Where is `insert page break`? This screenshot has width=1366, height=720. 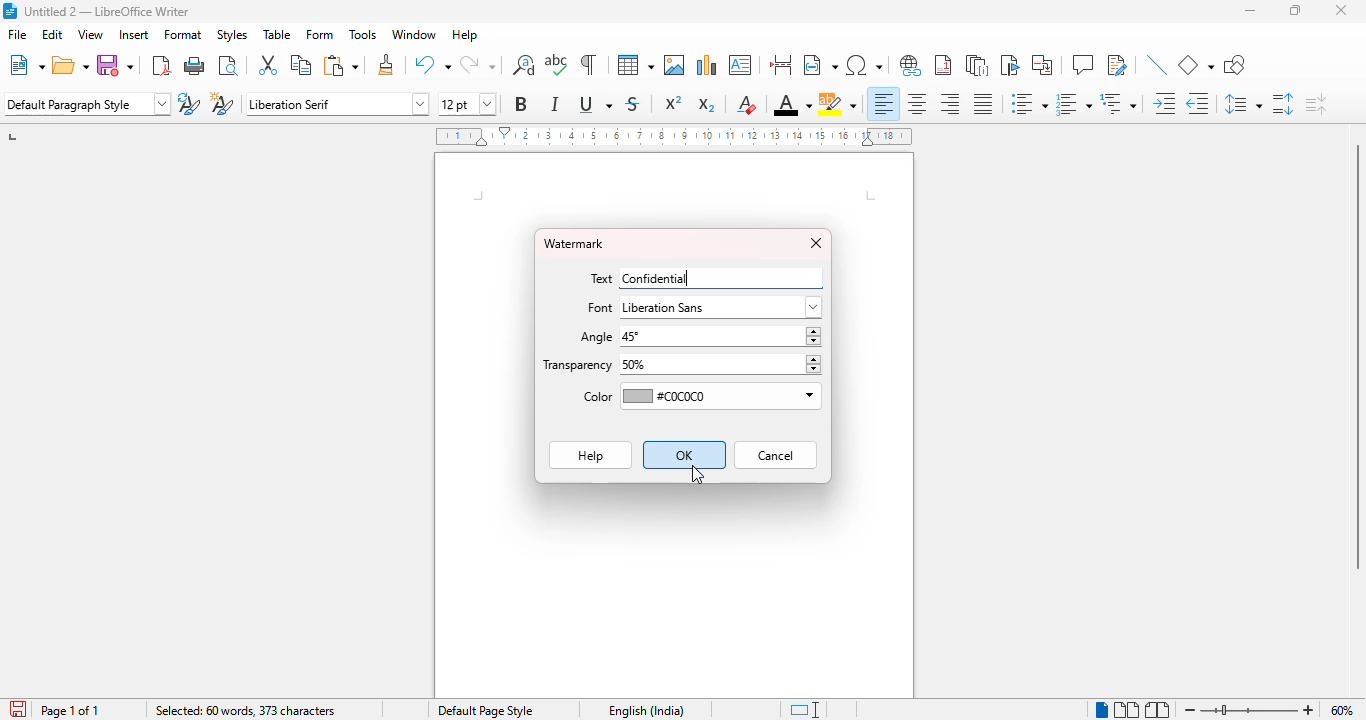
insert page break is located at coordinates (780, 65).